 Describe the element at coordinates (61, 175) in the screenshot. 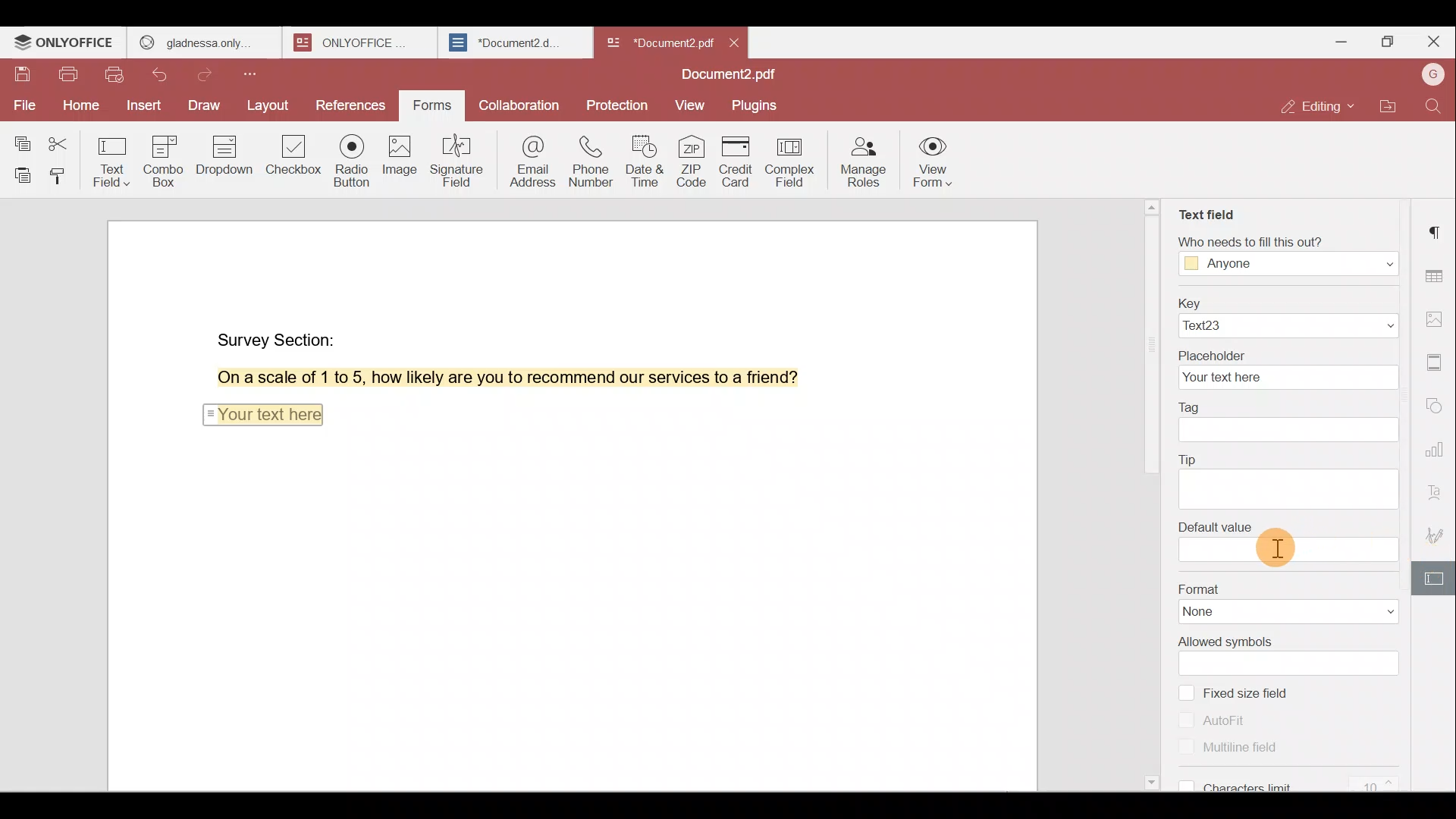

I see `Copy style` at that location.